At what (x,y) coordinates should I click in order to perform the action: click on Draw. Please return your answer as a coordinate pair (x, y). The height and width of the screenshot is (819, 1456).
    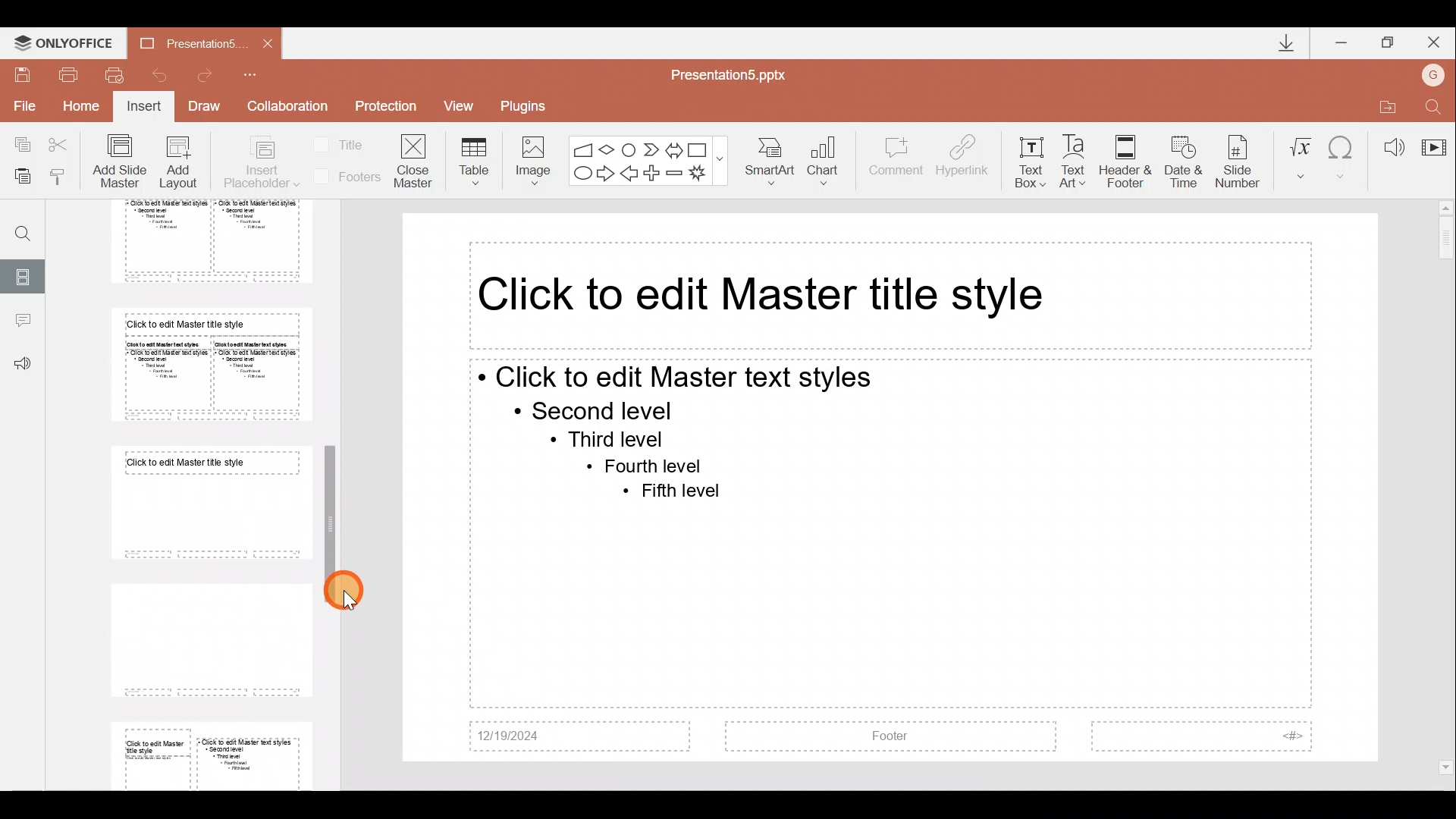
    Looking at the image, I should click on (209, 108).